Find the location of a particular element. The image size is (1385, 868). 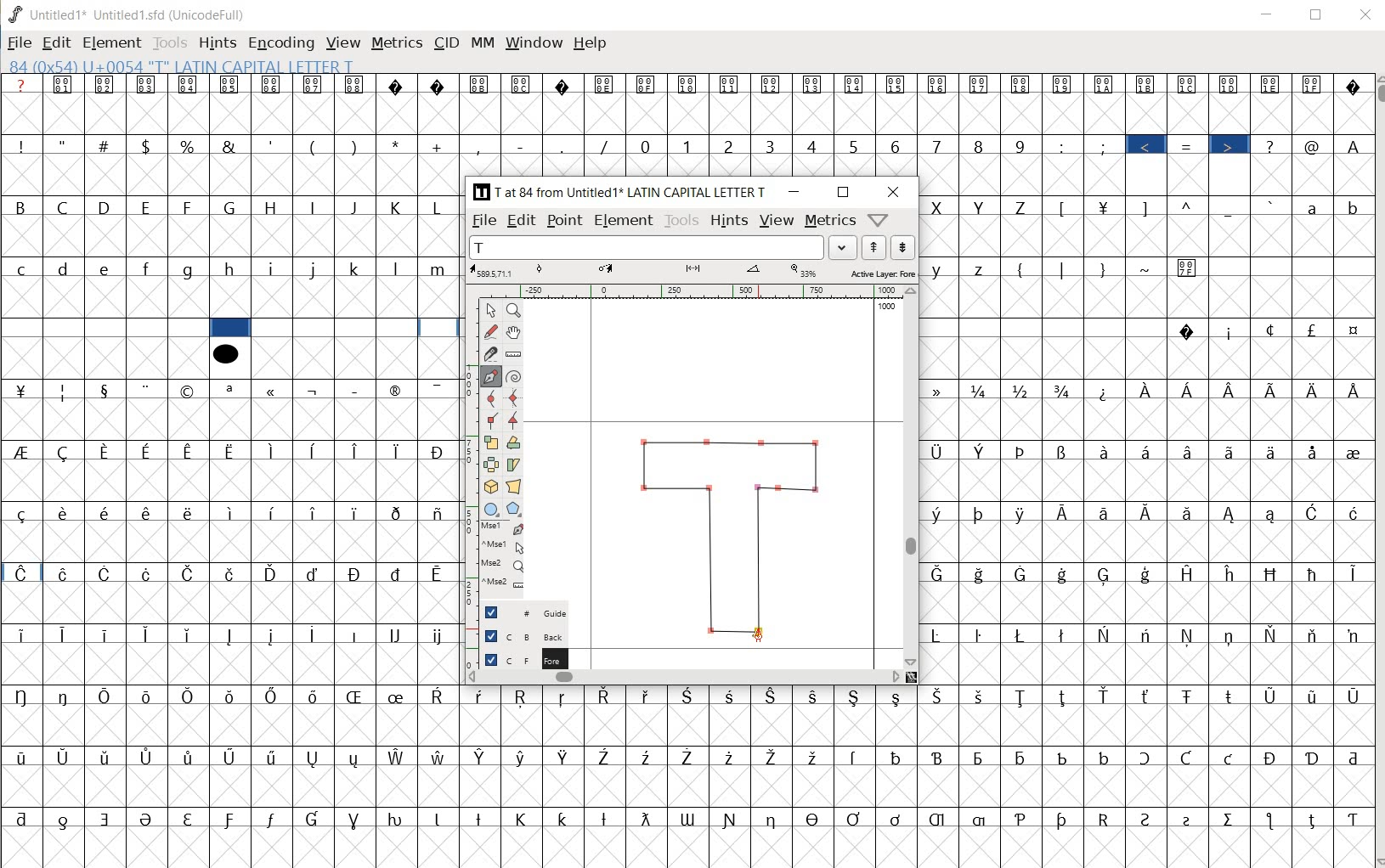

tangent is located at coordinates (516, 419).